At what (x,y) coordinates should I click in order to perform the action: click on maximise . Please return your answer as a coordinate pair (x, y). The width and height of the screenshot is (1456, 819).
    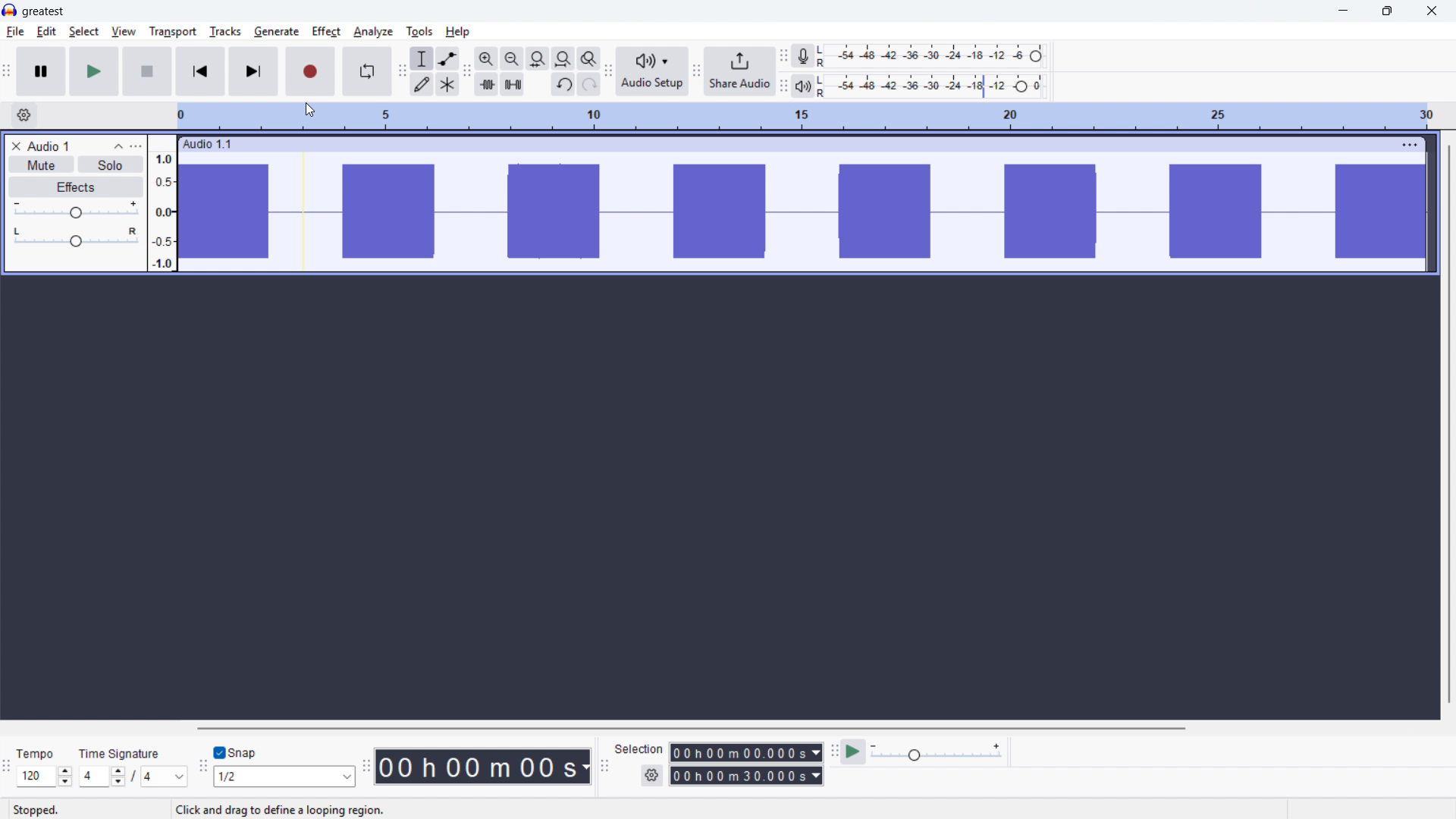
    Looking at the image, I should click on (1385, 11).